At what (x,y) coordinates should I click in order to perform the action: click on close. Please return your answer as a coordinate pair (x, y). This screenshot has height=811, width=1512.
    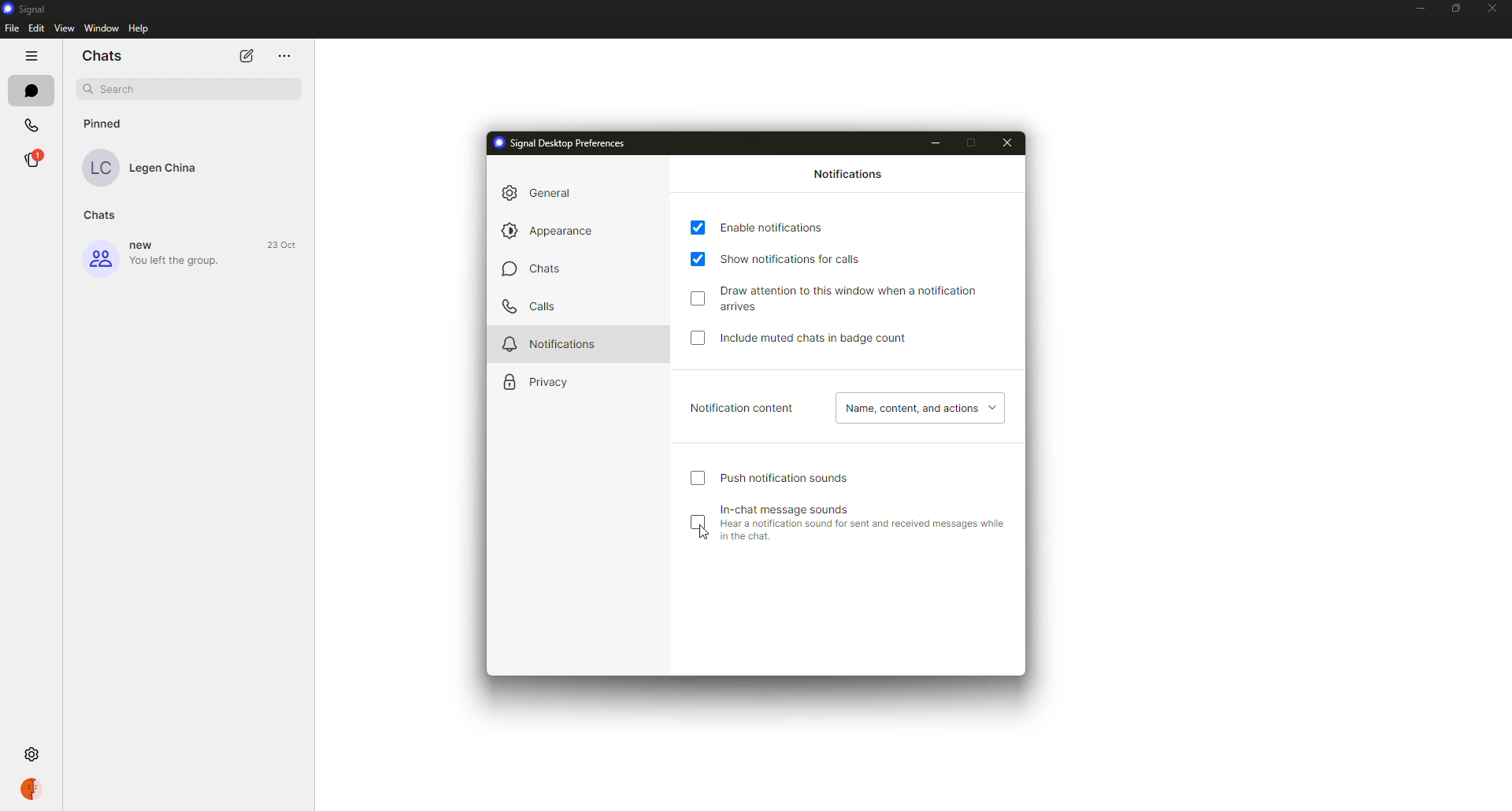
    Looking at the image, I should click on (1494, 9).